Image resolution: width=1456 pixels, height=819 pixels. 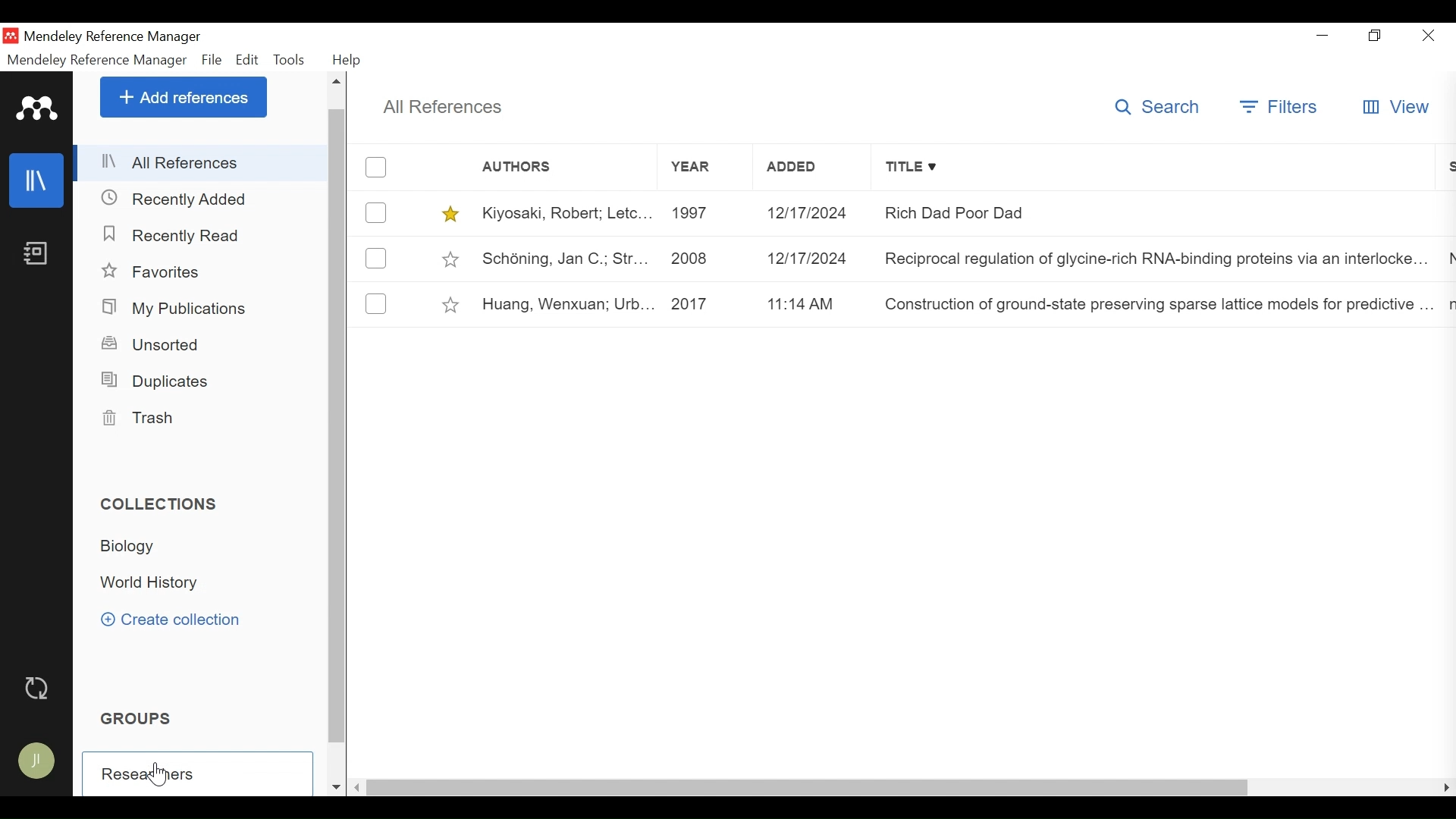 I want to click on File, so click(x=212, y=60).